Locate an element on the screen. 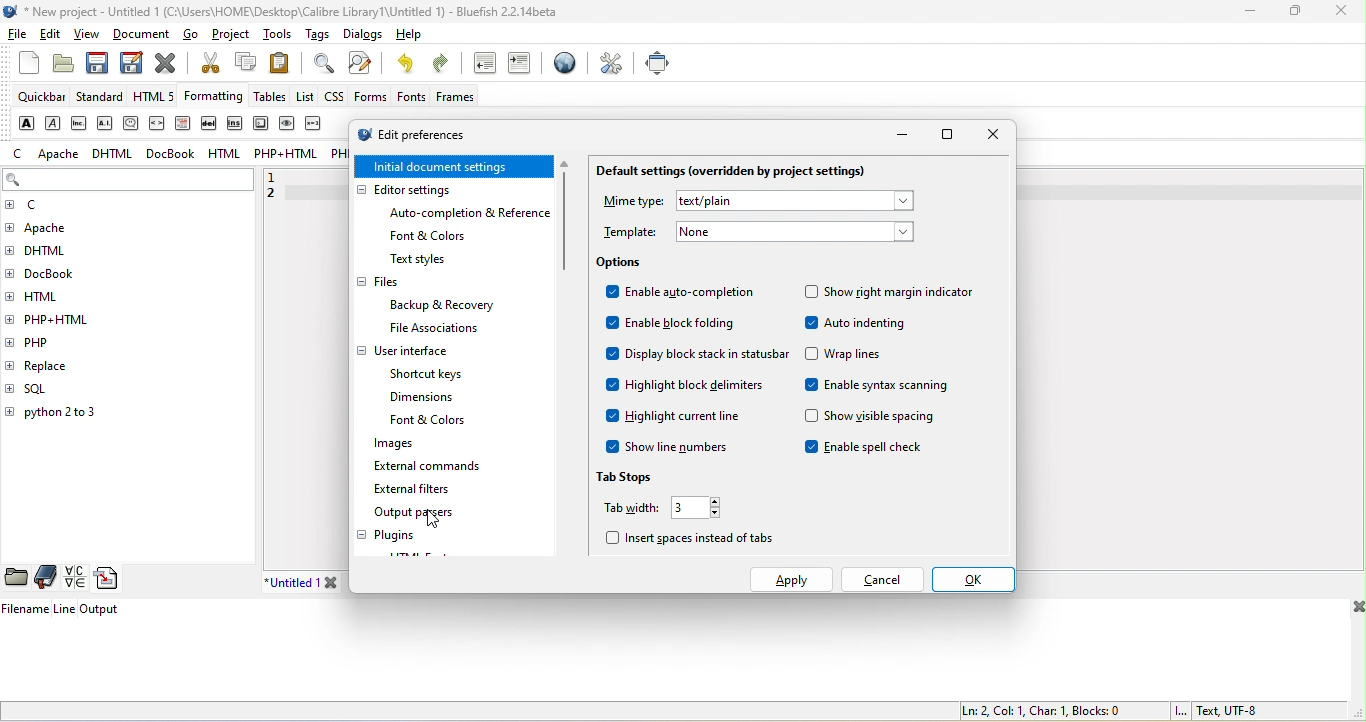  template is located at coordinates (631, 233).